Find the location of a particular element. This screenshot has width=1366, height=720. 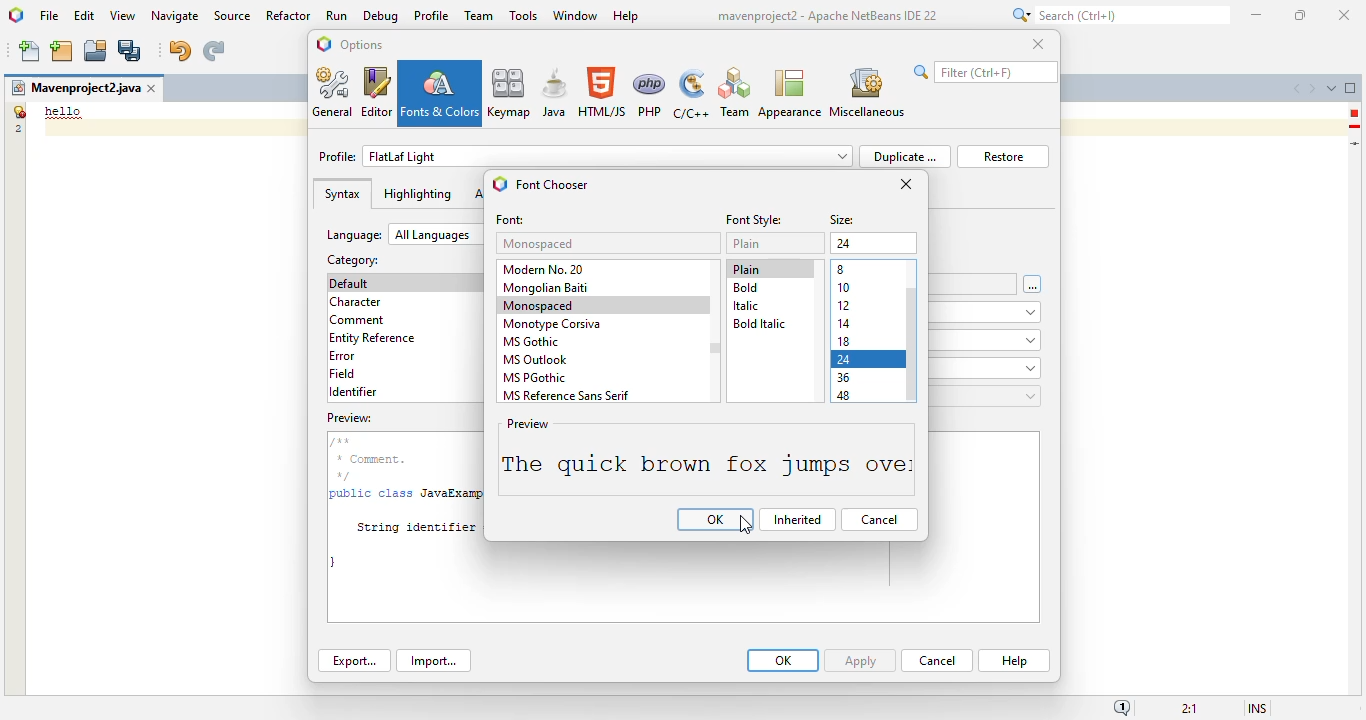

options is located at coordinates (361, 44).